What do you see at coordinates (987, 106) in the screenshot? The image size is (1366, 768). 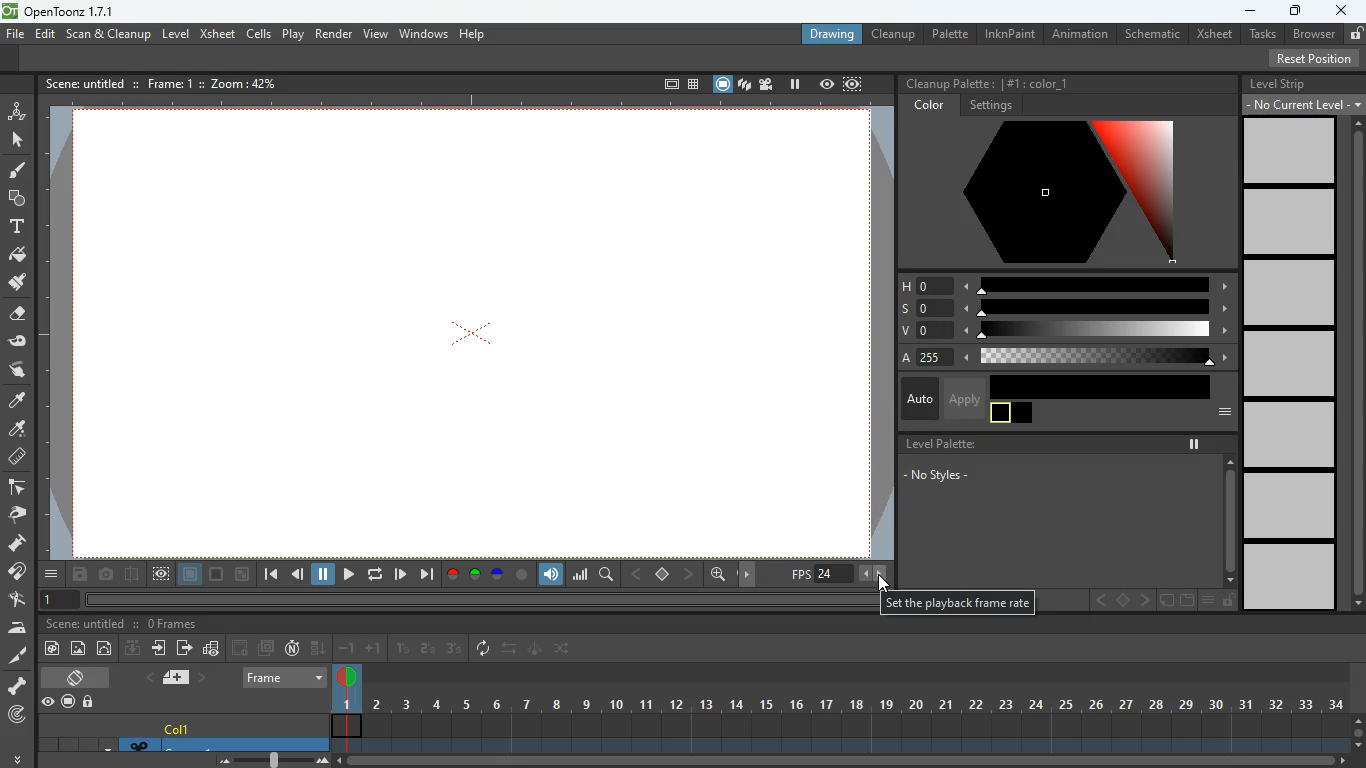 I see `settings` at bounding box center [987, 106].